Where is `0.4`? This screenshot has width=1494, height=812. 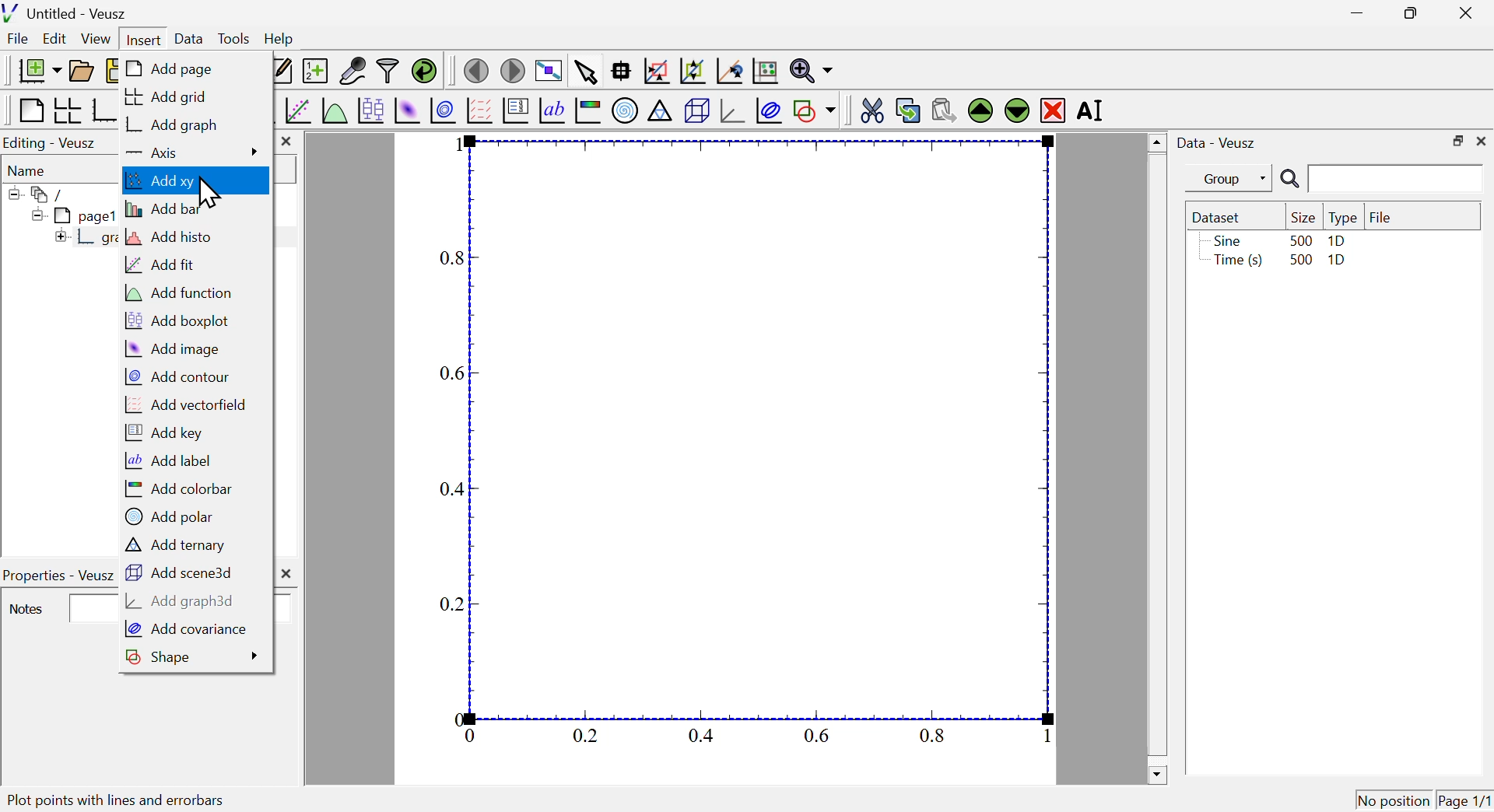
0.4 is located at coordinates (450, 489).